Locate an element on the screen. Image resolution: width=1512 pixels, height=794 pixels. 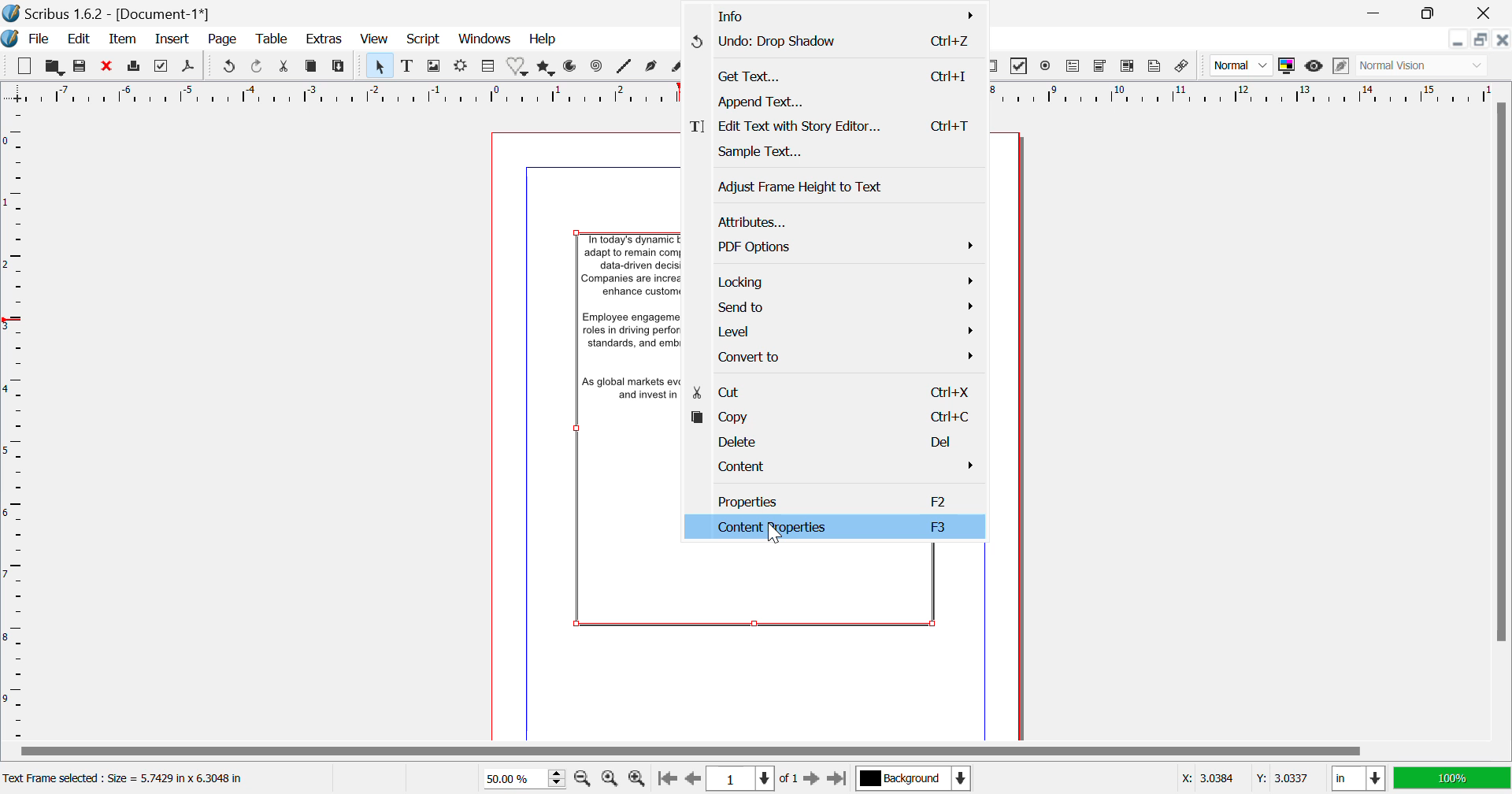
Pdf Combo box is located at coordinates (1101, 64).